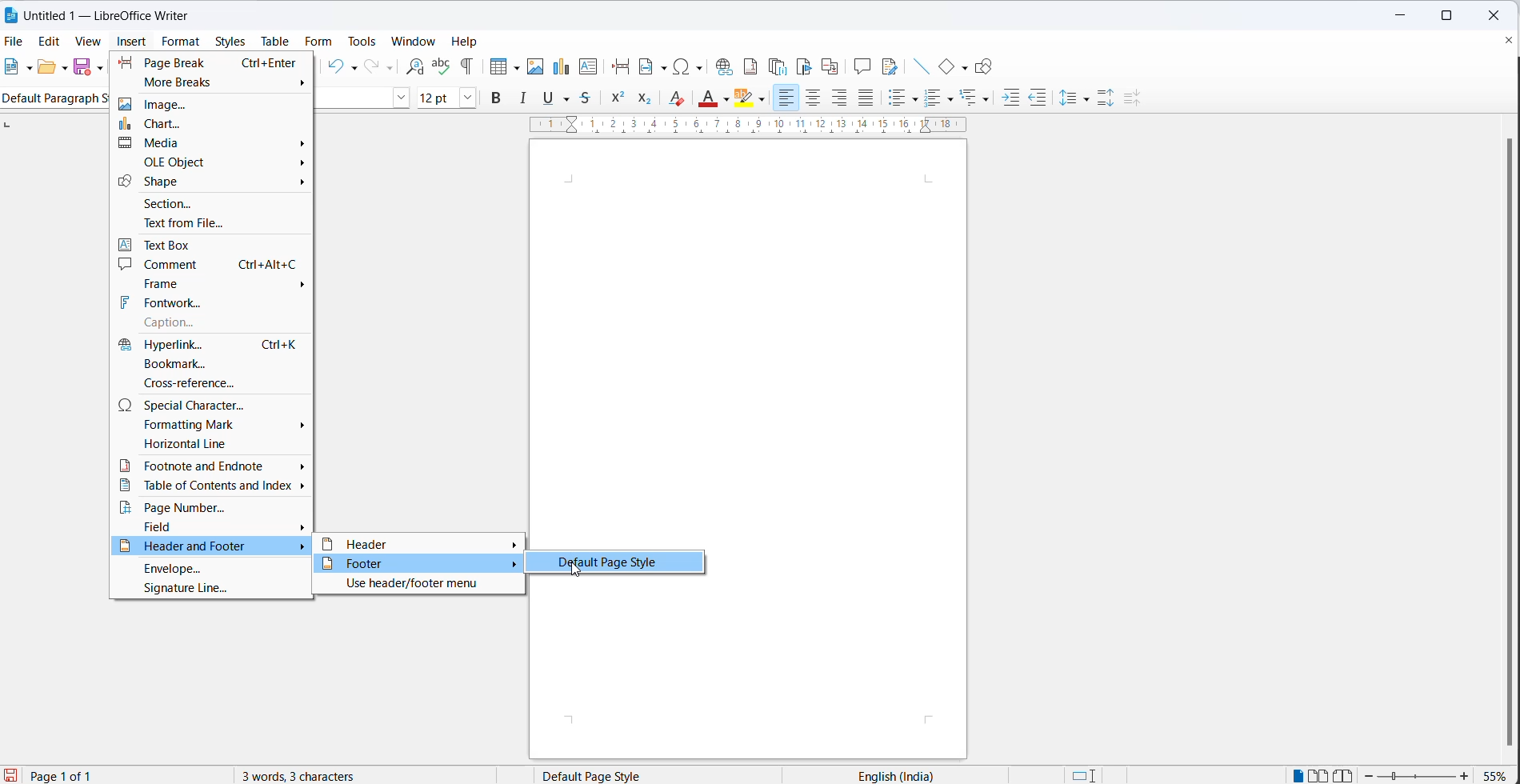 This screenshot has height=784, width=1520. What do you see at coordinates (946, 67) in the screenshot?
I see `basic shapes` at bounding box center [946, 67].